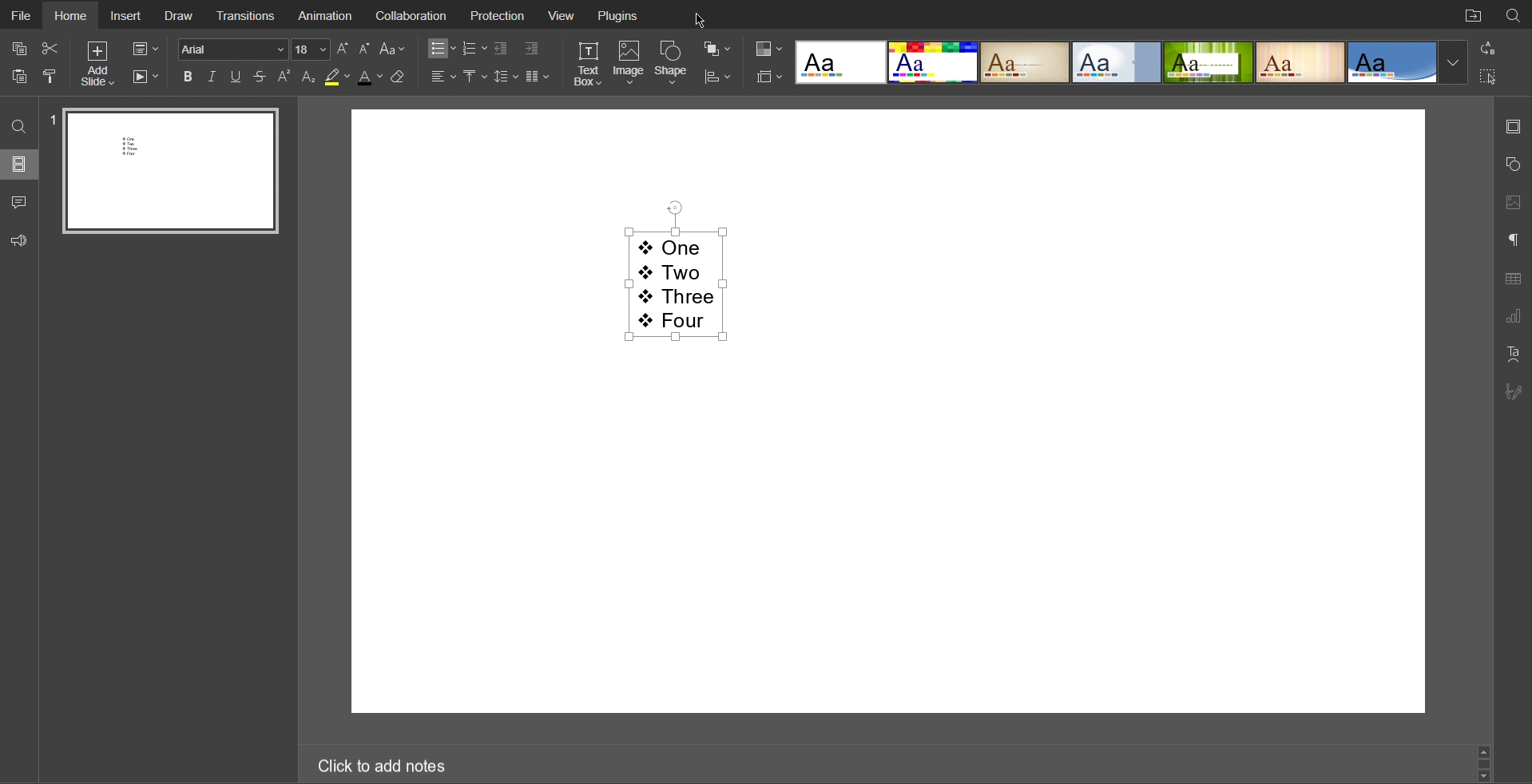 The height and width of the screenshot is (784, 1532). I want to click on Table, so click(1514, 278).